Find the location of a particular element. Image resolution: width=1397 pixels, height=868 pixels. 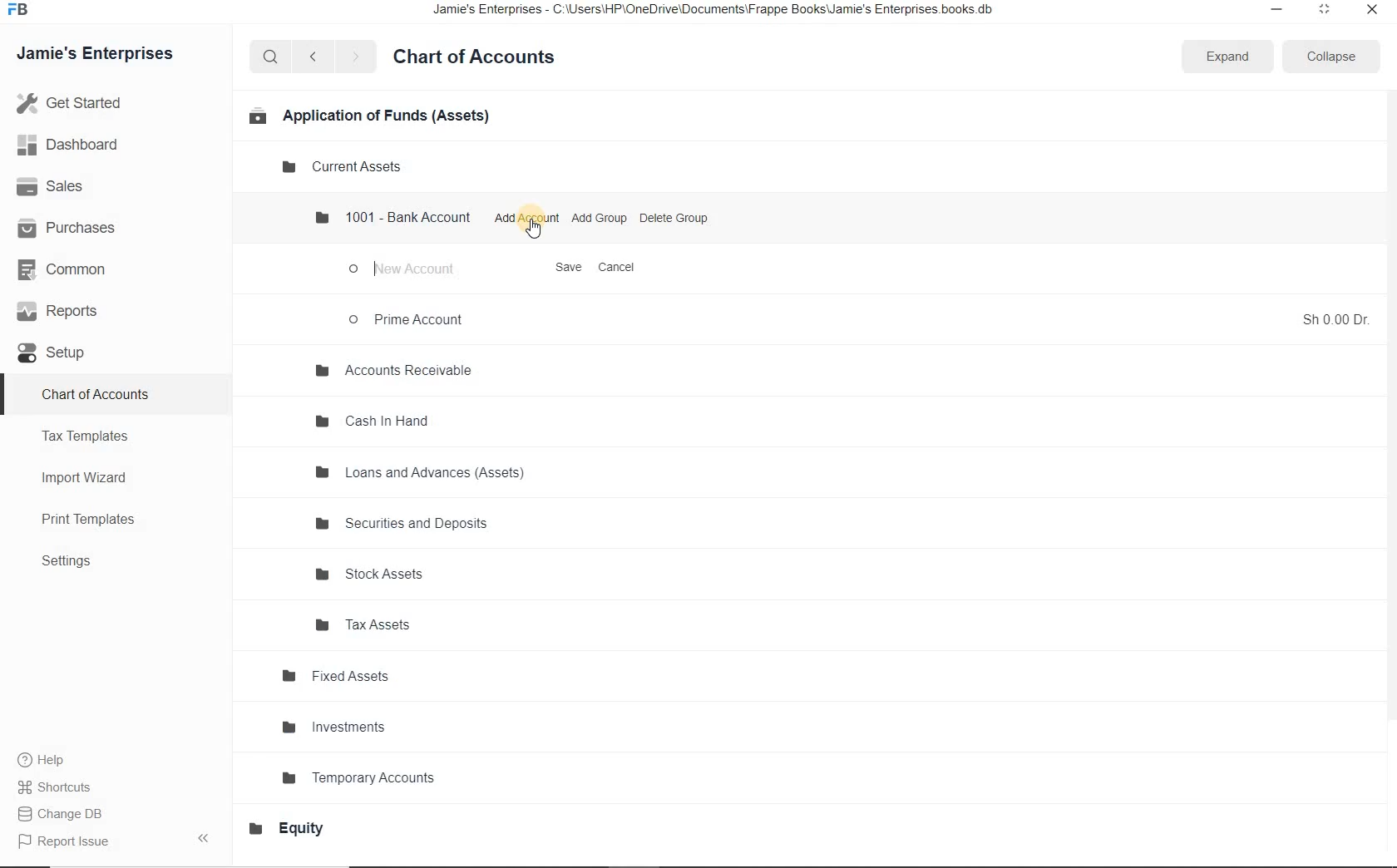

maximize is located at coordinates (1323, 9).